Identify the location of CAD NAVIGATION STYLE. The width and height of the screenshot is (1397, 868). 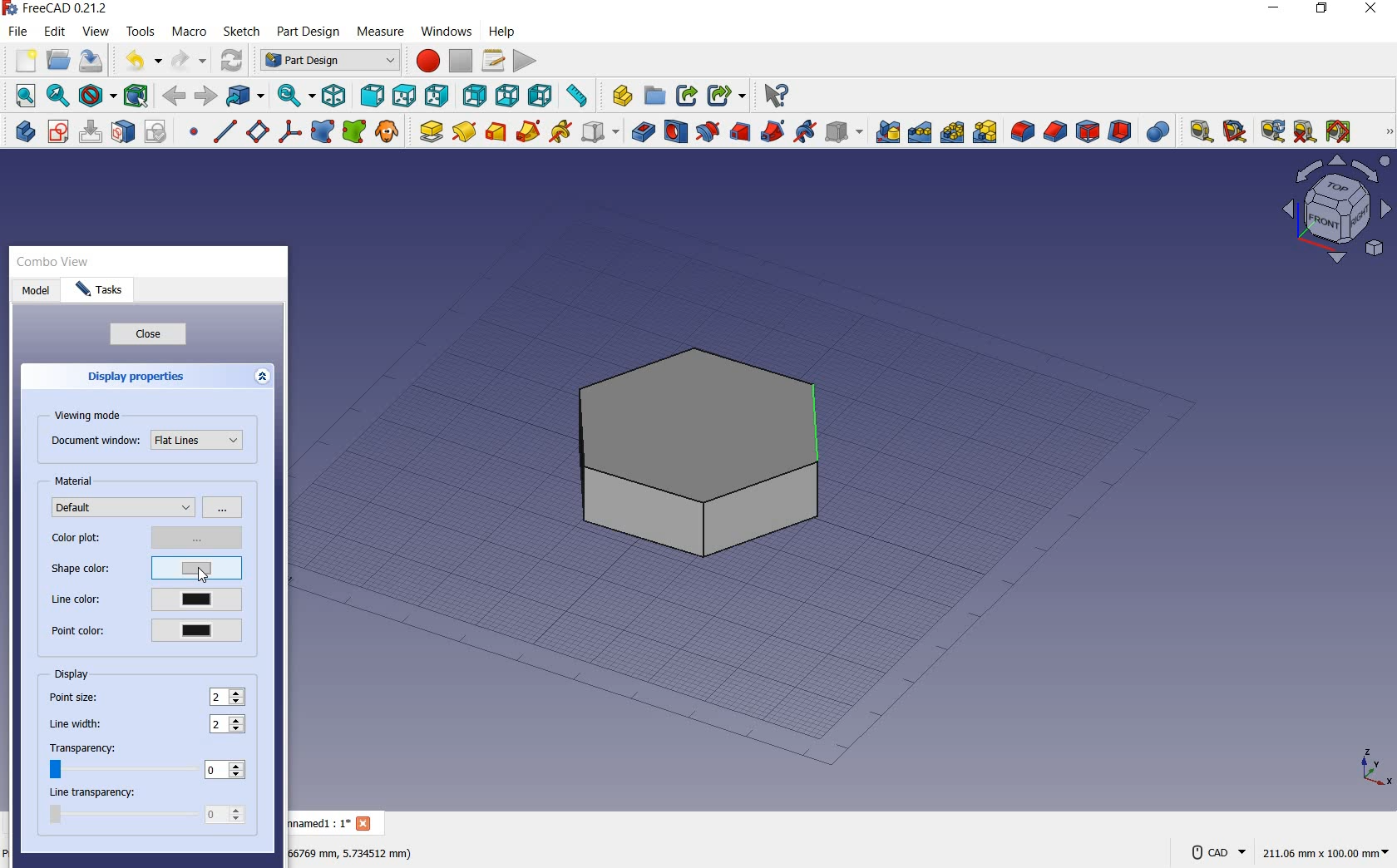
(1214, 852).